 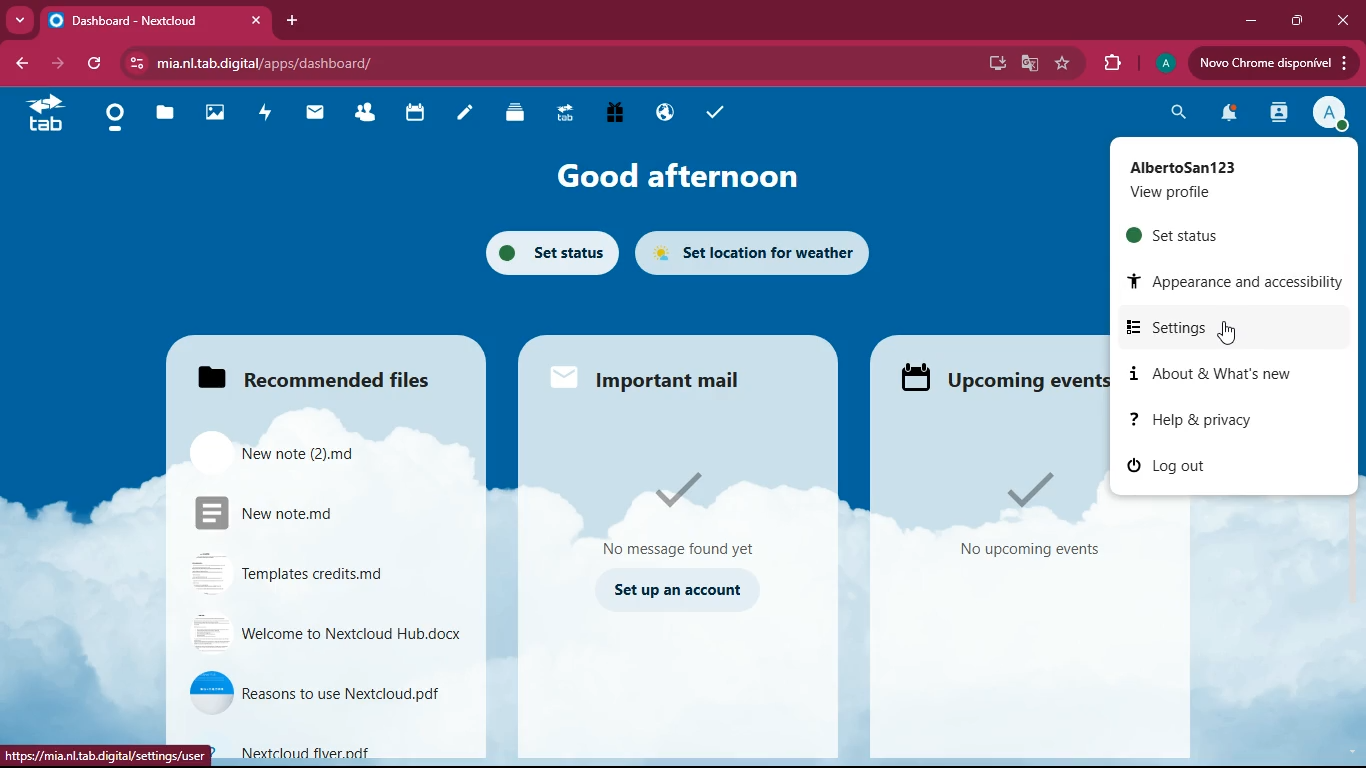 I want to click on help, so click(x=1214, y=419).